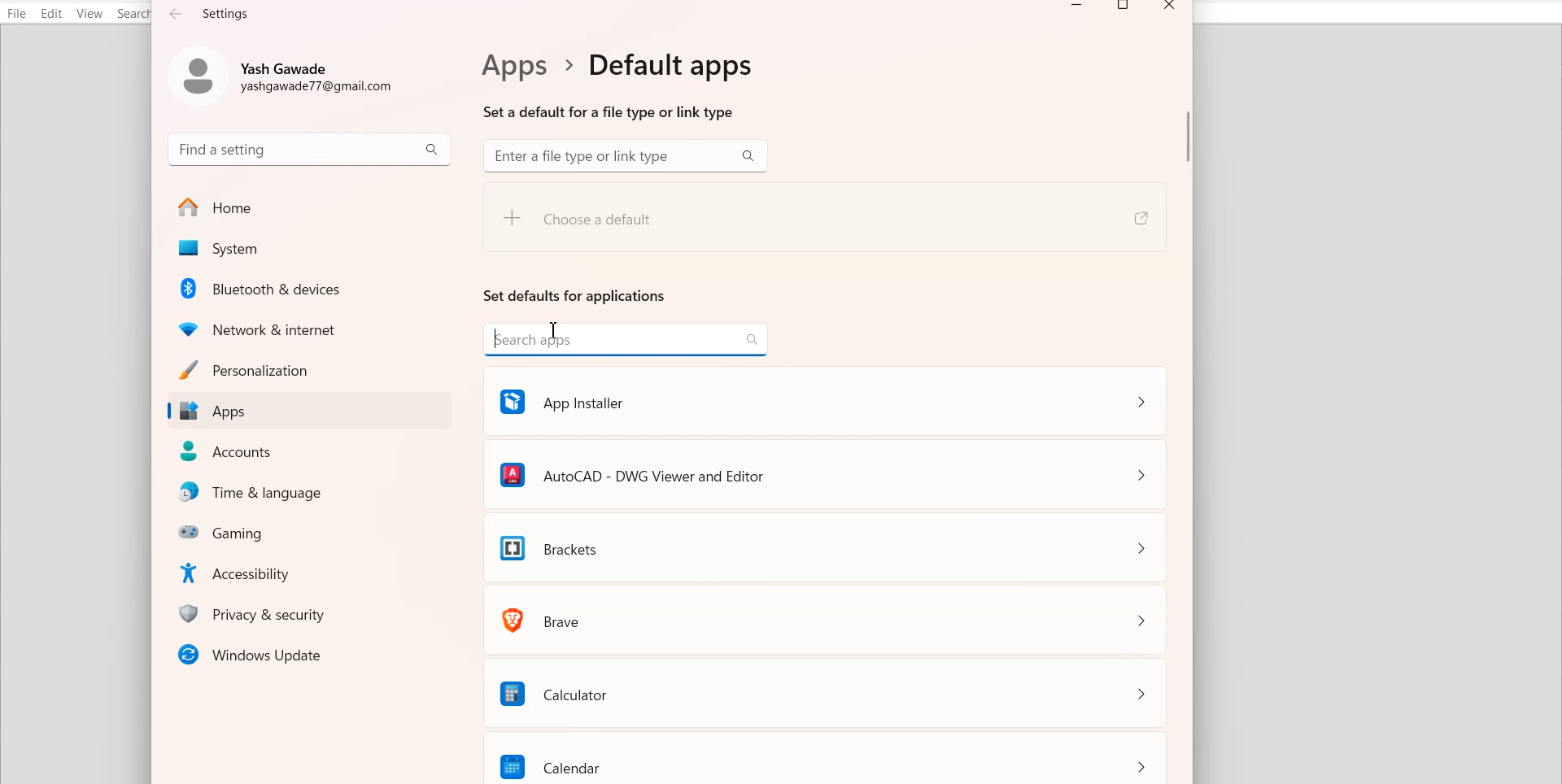 The width and height of the screenshot is (1562, 784). I want to click on Minimize, so click(1077, 8).